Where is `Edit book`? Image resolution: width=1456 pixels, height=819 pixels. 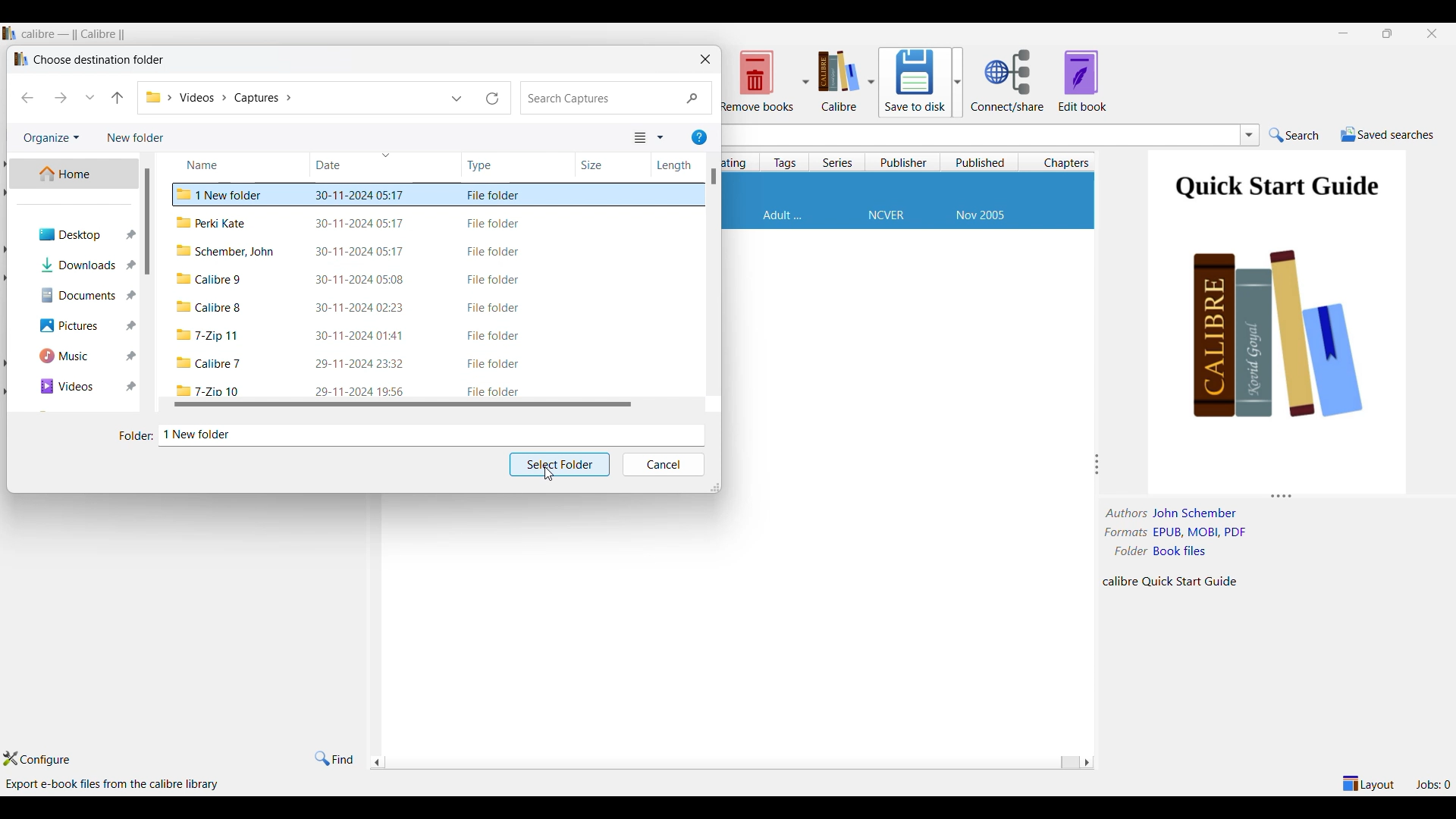
Edit book is located at coordinates (1083, 80).